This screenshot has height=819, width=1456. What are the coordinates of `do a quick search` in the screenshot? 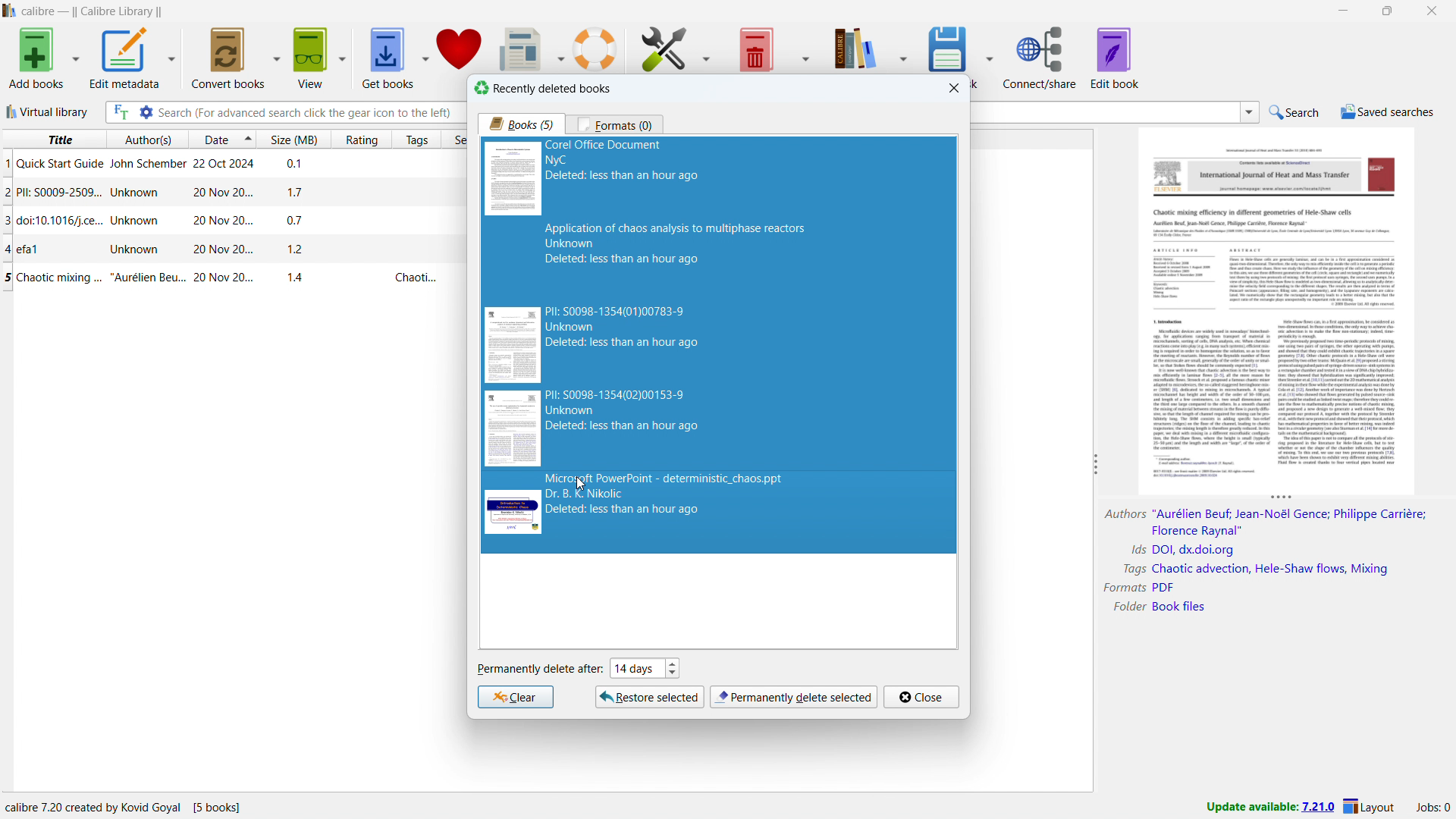 It's located at (1295, 113).